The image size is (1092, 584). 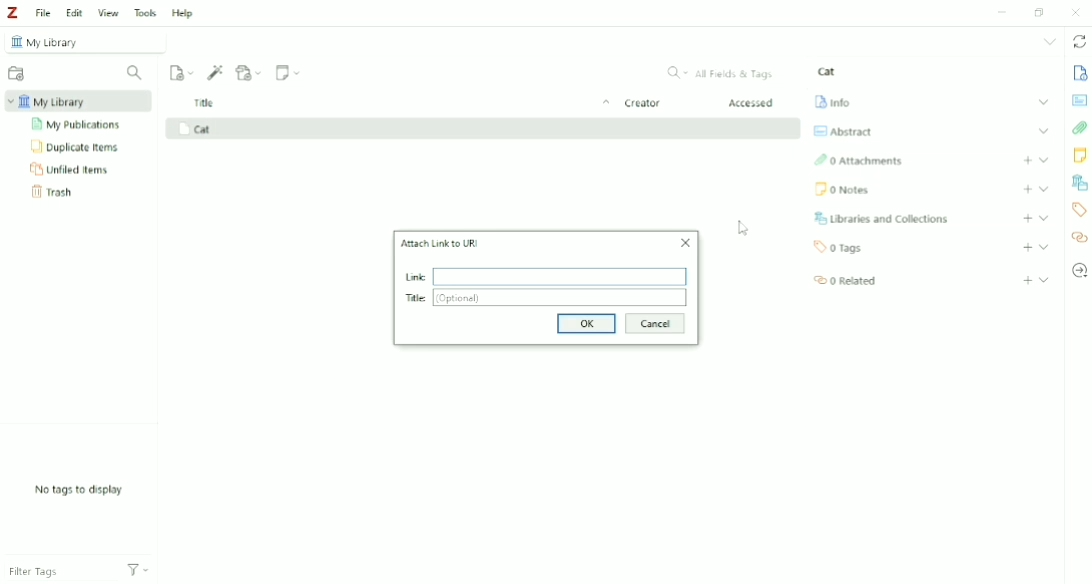 What do you see at coordinates (560, 276) in the screenshot?
I see `Input field` at bounding box center [560, 276].